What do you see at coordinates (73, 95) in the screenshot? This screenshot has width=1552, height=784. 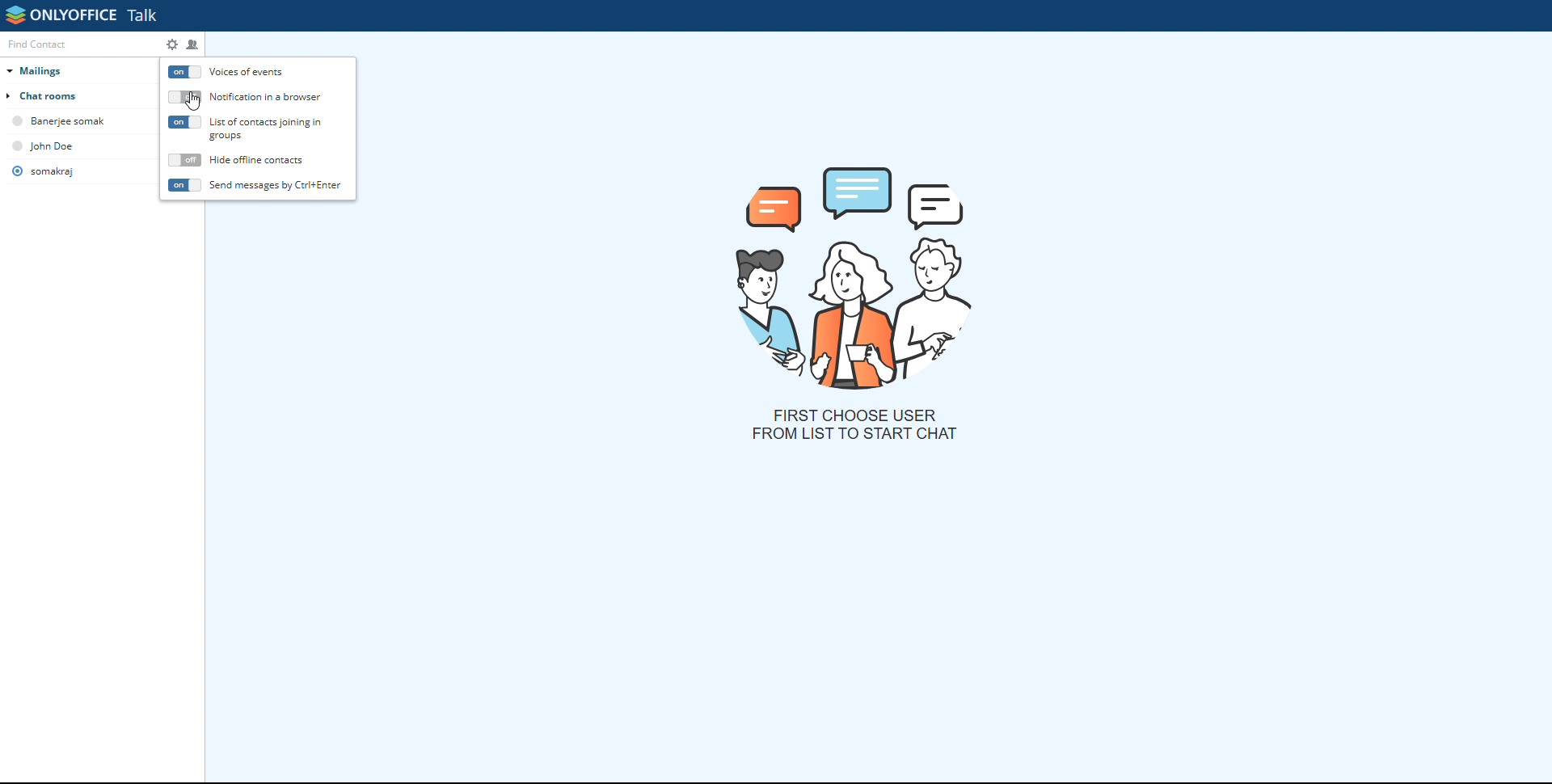 I see `chat rooms` at bounding box center [73, 95].